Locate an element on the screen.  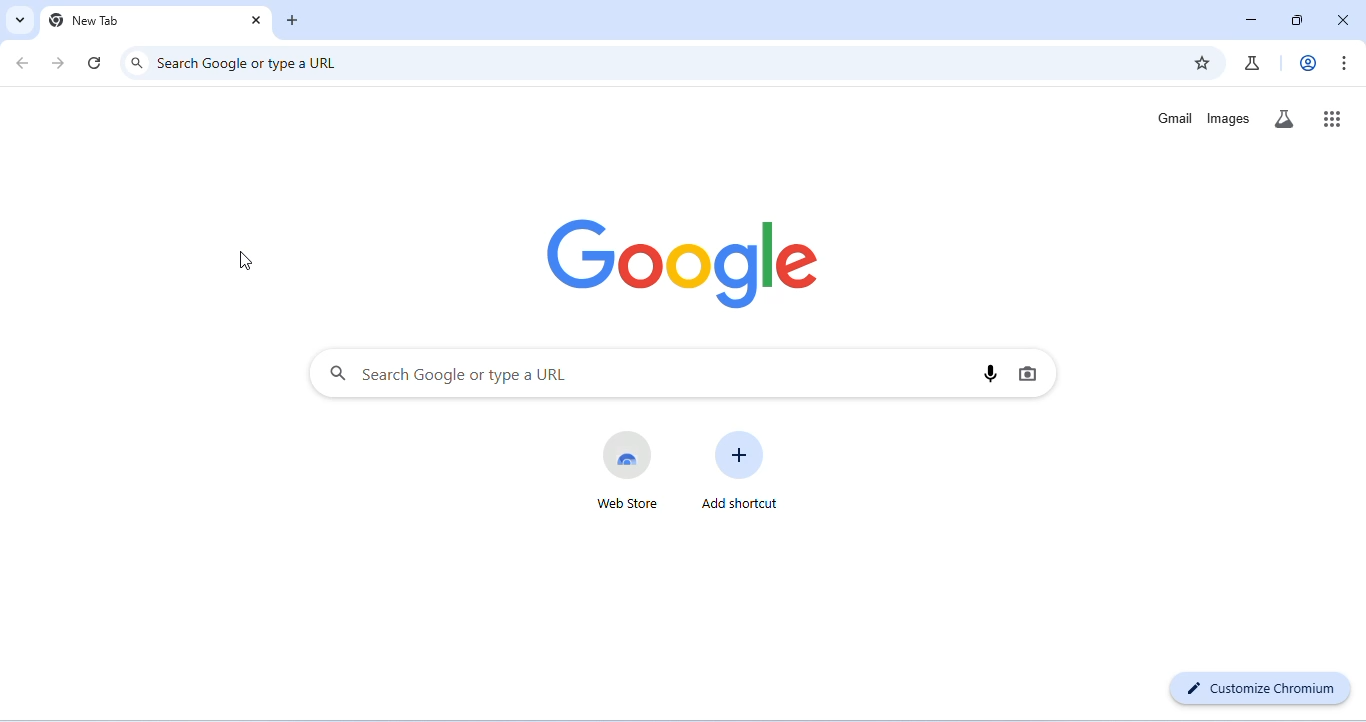
search google or type a URL is located at coordinates (447, 374).